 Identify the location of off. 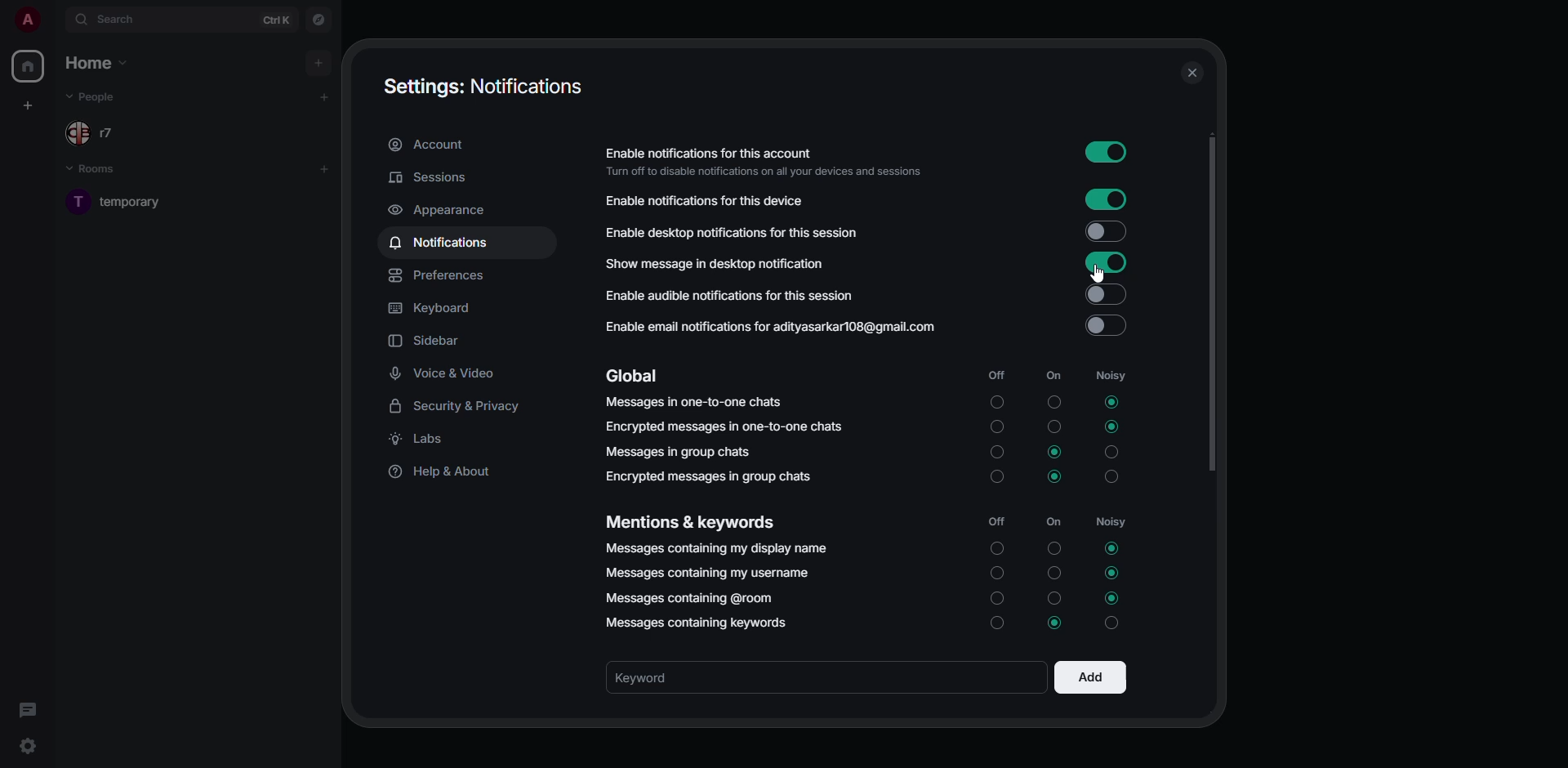
(997, 373).